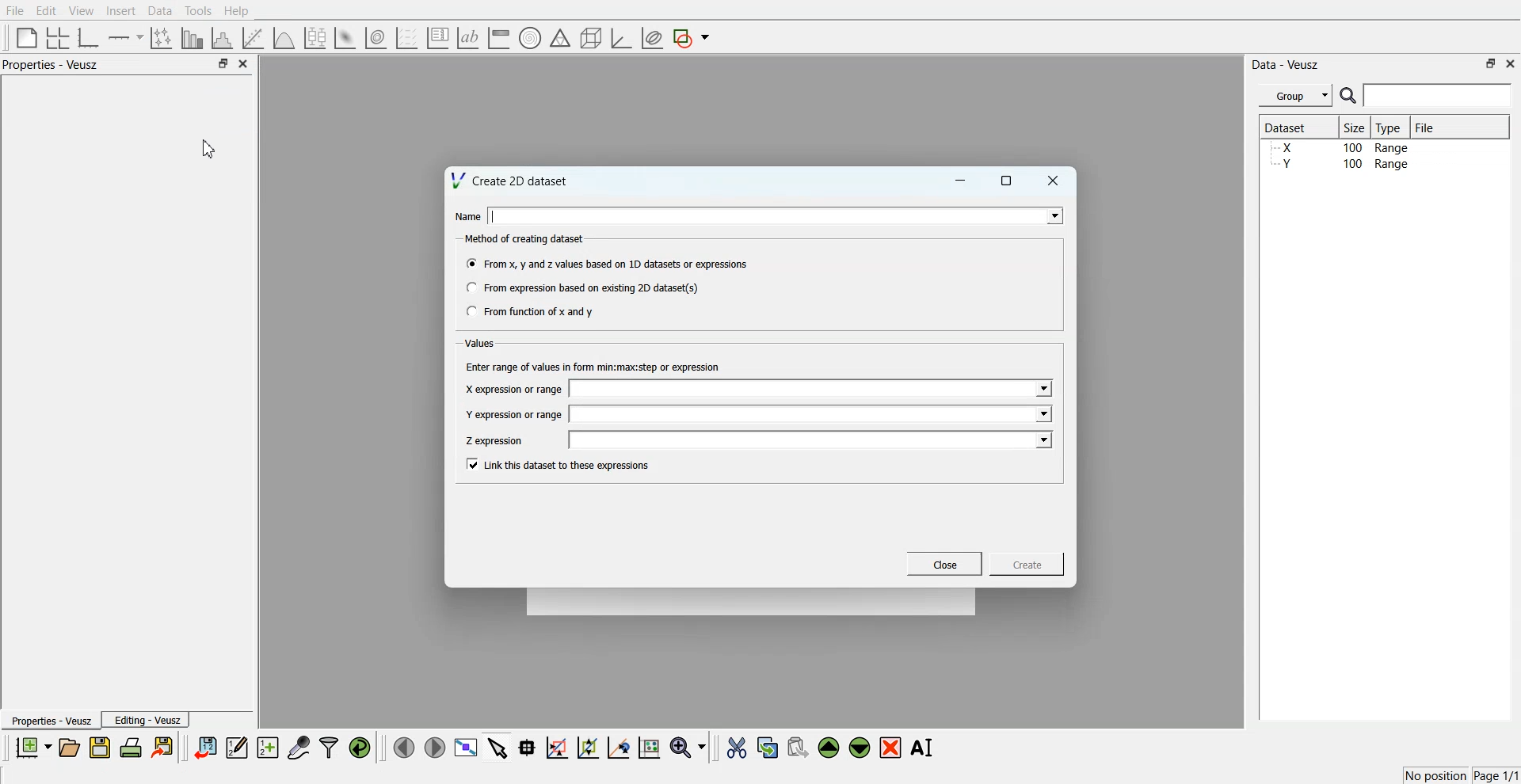  I want to click on Cursor, so click(209, 149).